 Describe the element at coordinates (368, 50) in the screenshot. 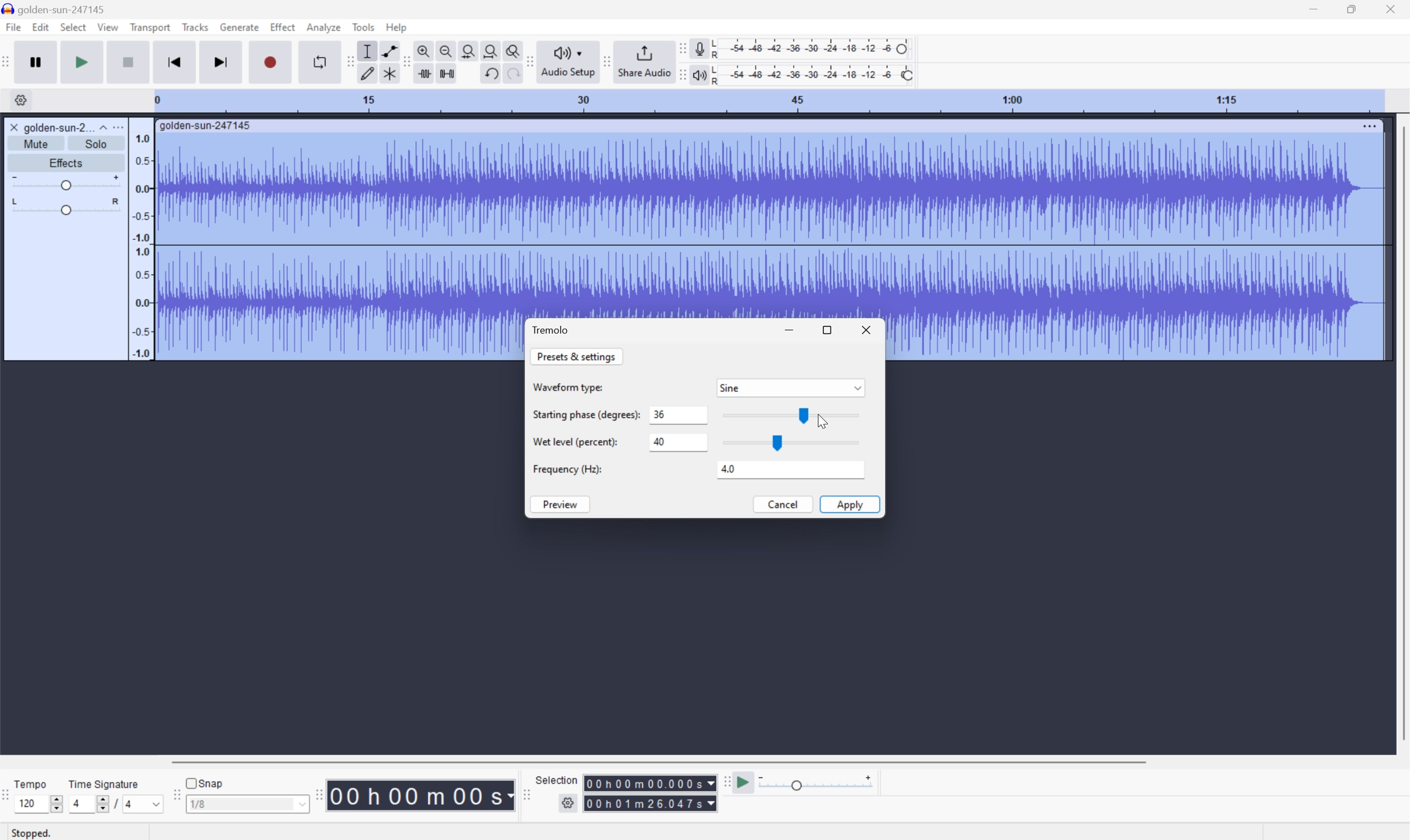

I see `Selection Tool` at that location.